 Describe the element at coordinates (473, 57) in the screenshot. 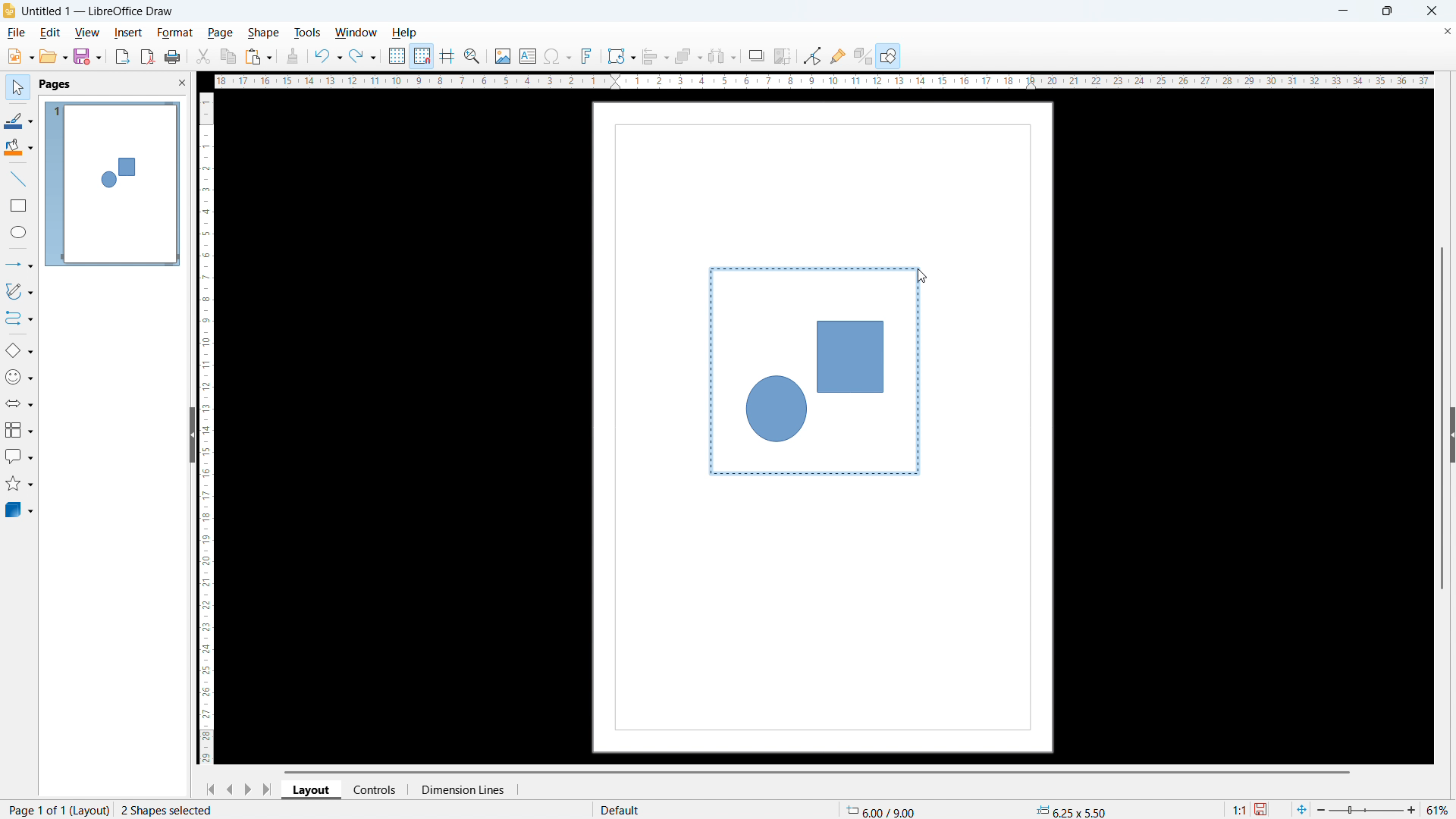

I see `zoom` at that location.